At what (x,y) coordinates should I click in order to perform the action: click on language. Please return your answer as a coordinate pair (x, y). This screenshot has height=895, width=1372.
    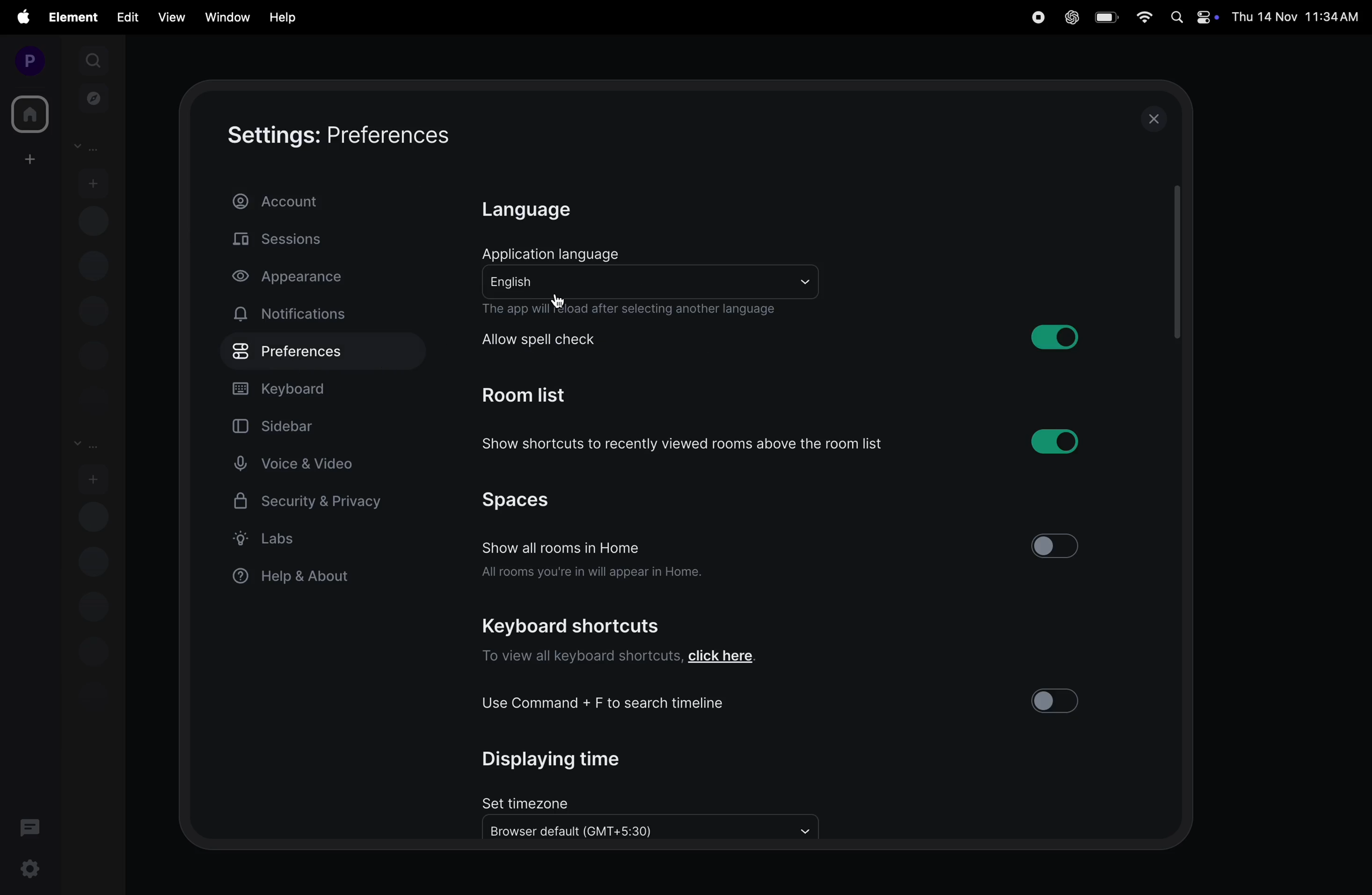
    Looking at the image, I should click on (540, 209).